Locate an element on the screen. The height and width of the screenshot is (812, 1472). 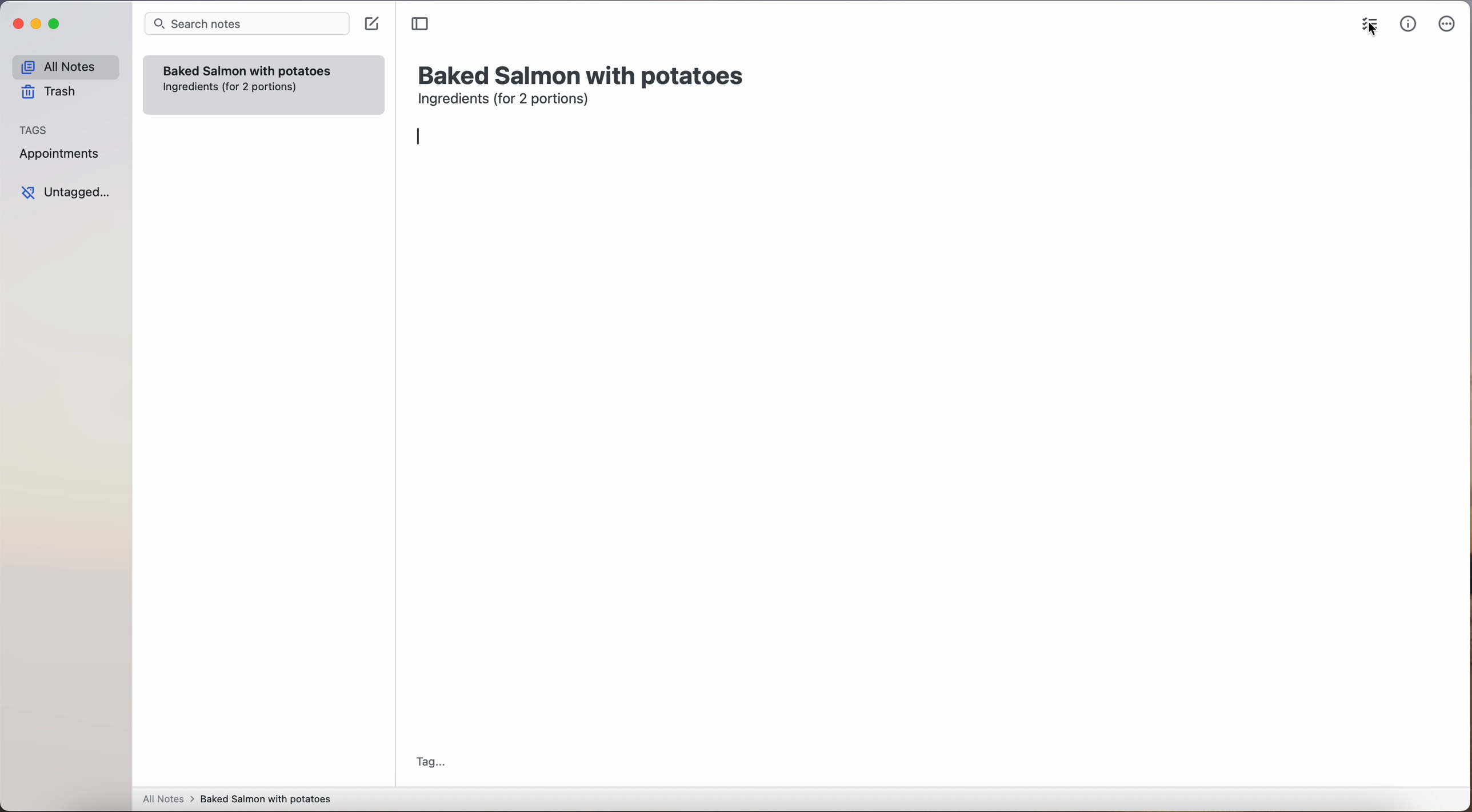
more options is located at coordinates (1449, 25).